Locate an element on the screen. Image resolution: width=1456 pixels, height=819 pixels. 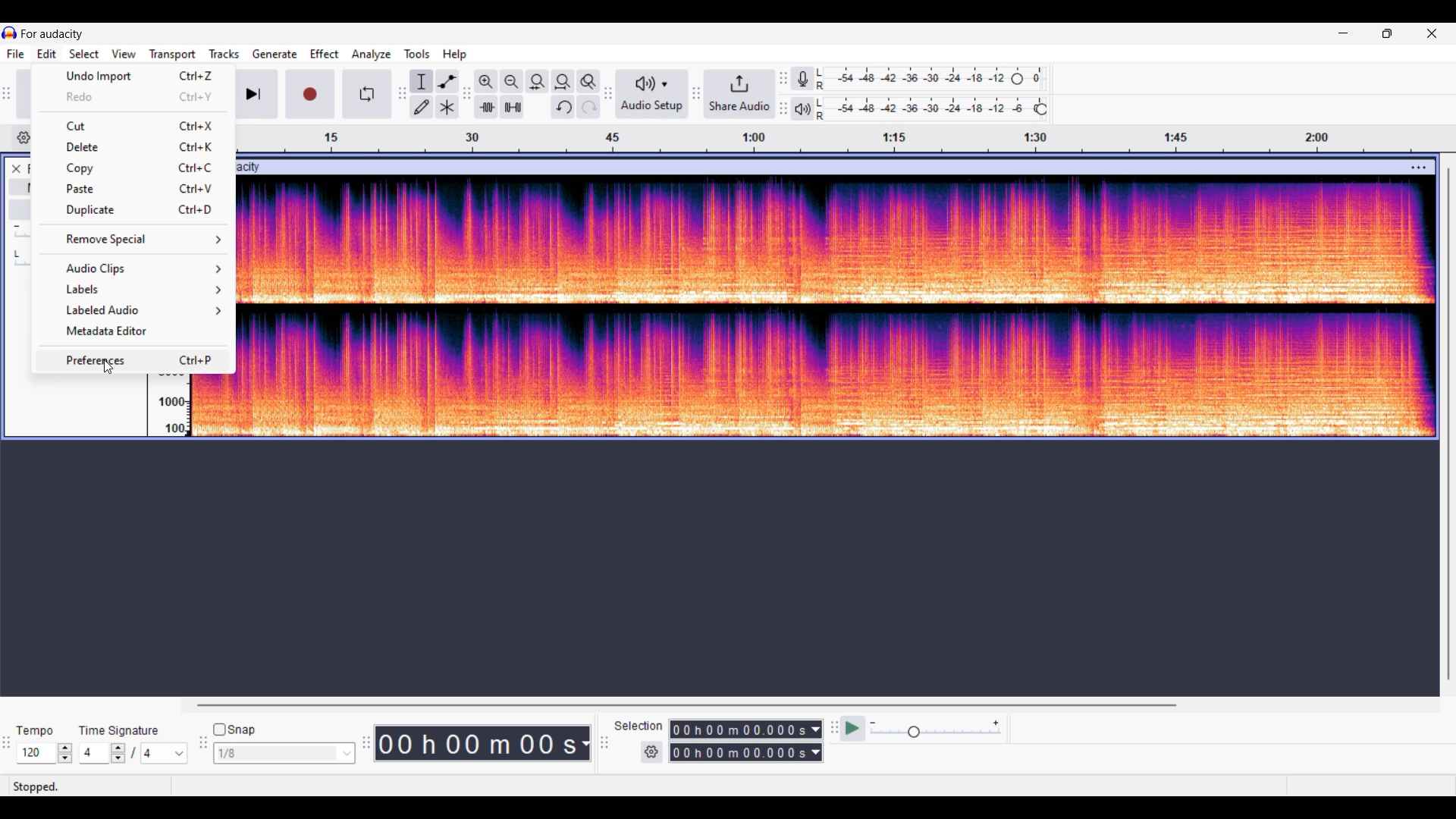
Track settings is located at coordinates (1418, 169).